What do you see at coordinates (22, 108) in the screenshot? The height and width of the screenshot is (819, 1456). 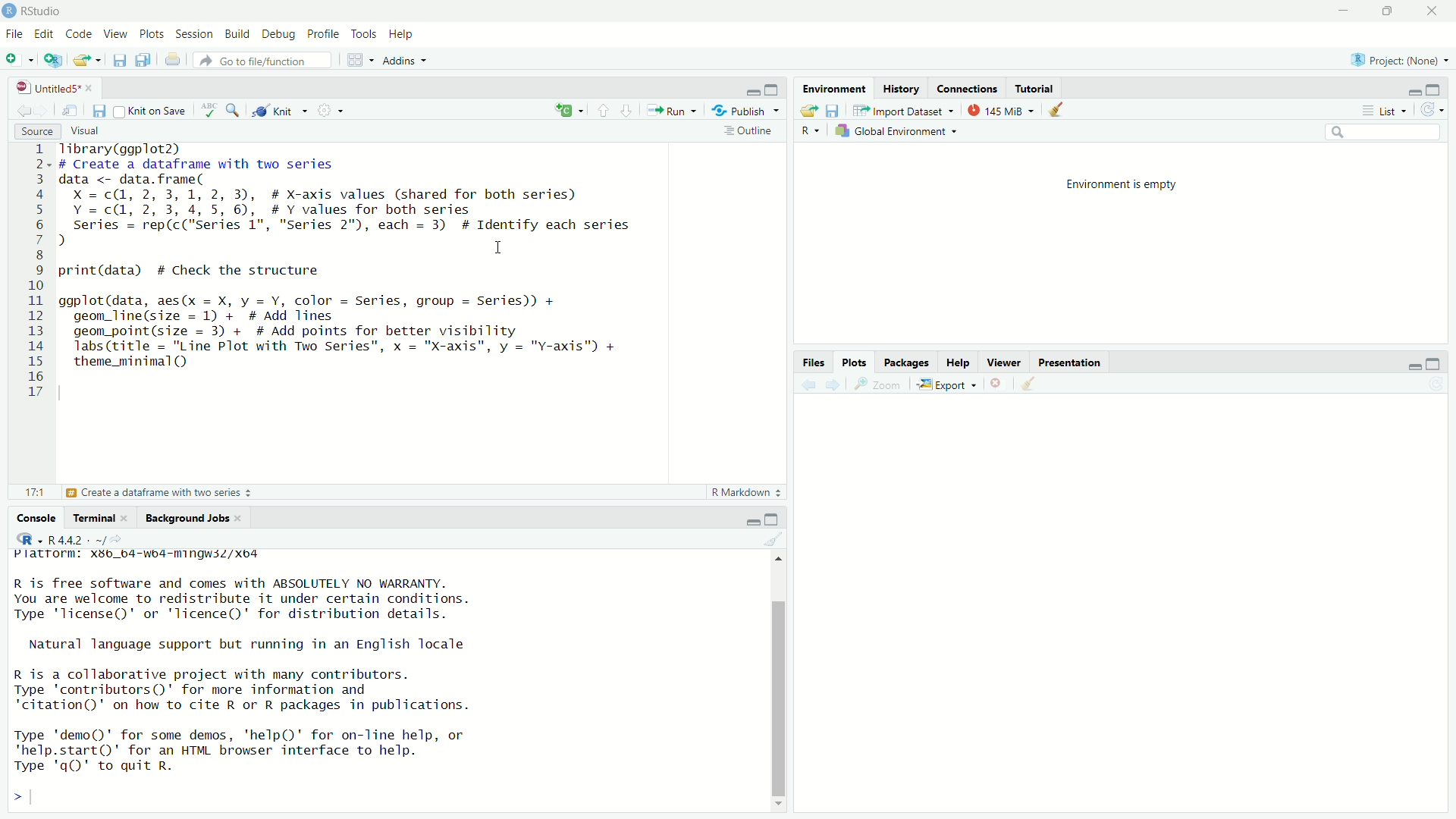 I see `Go back to the previous source selection` at bounding box center [22, 108].